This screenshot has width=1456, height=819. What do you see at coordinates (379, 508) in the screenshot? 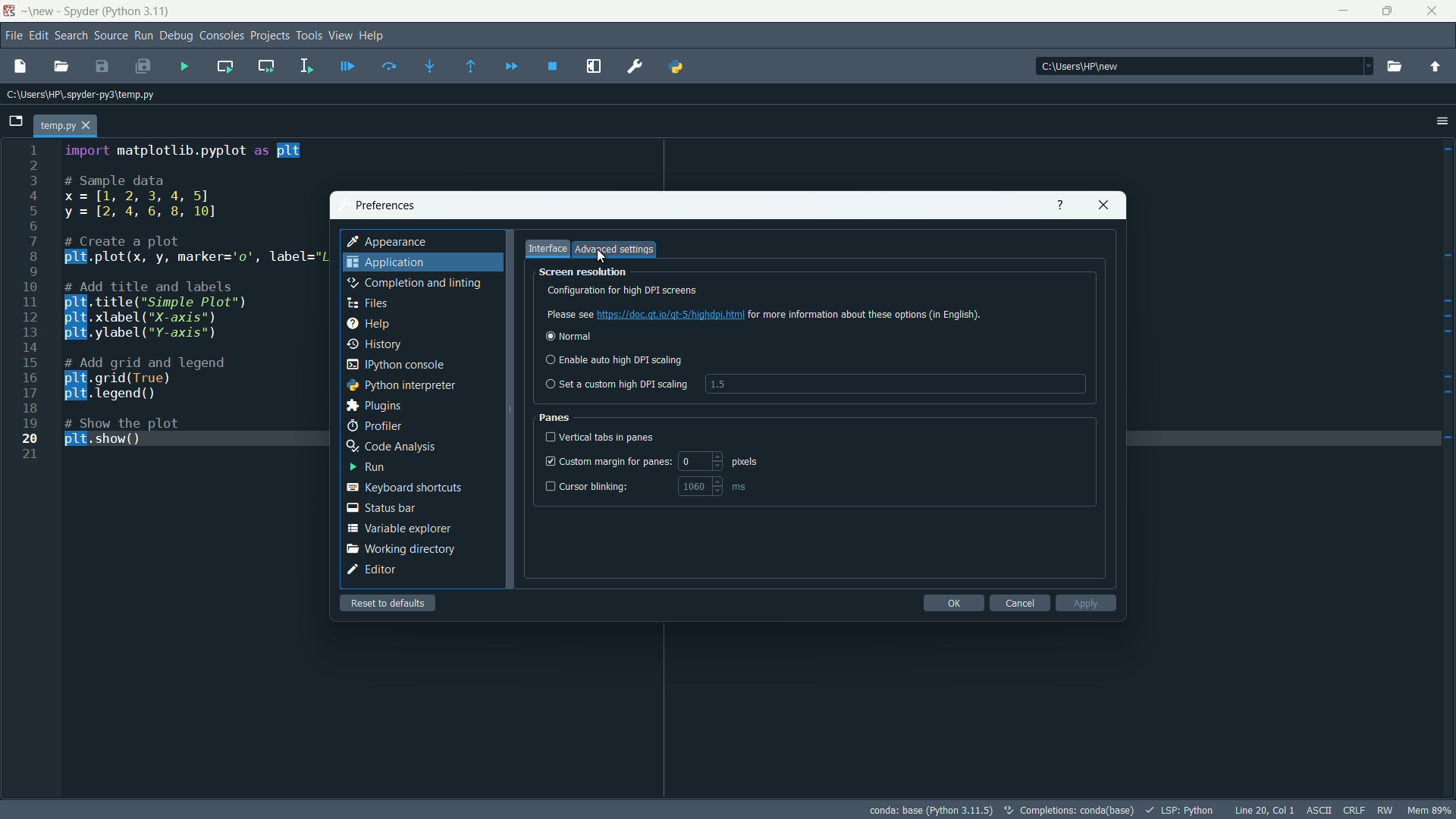
I see `status bar` at bounding box center [379, 508].